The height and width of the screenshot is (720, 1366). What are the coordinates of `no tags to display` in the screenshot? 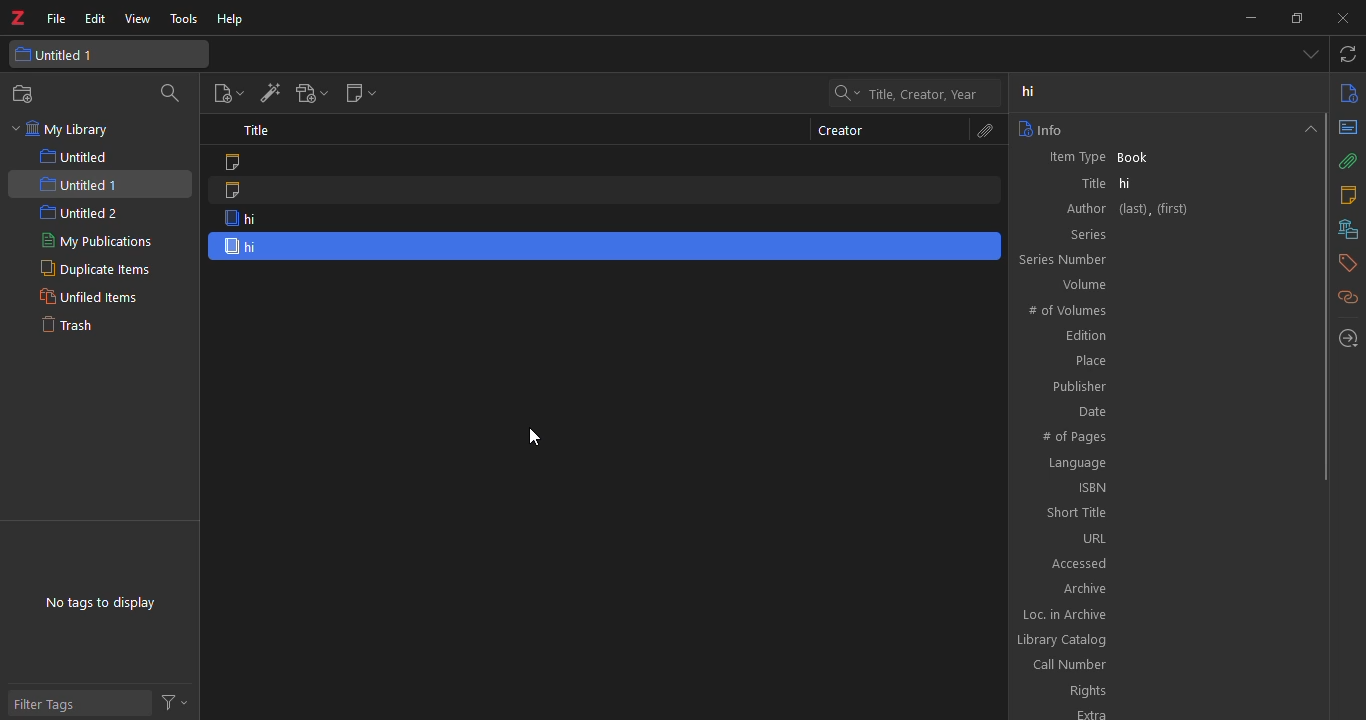 It's located at (100, 602).